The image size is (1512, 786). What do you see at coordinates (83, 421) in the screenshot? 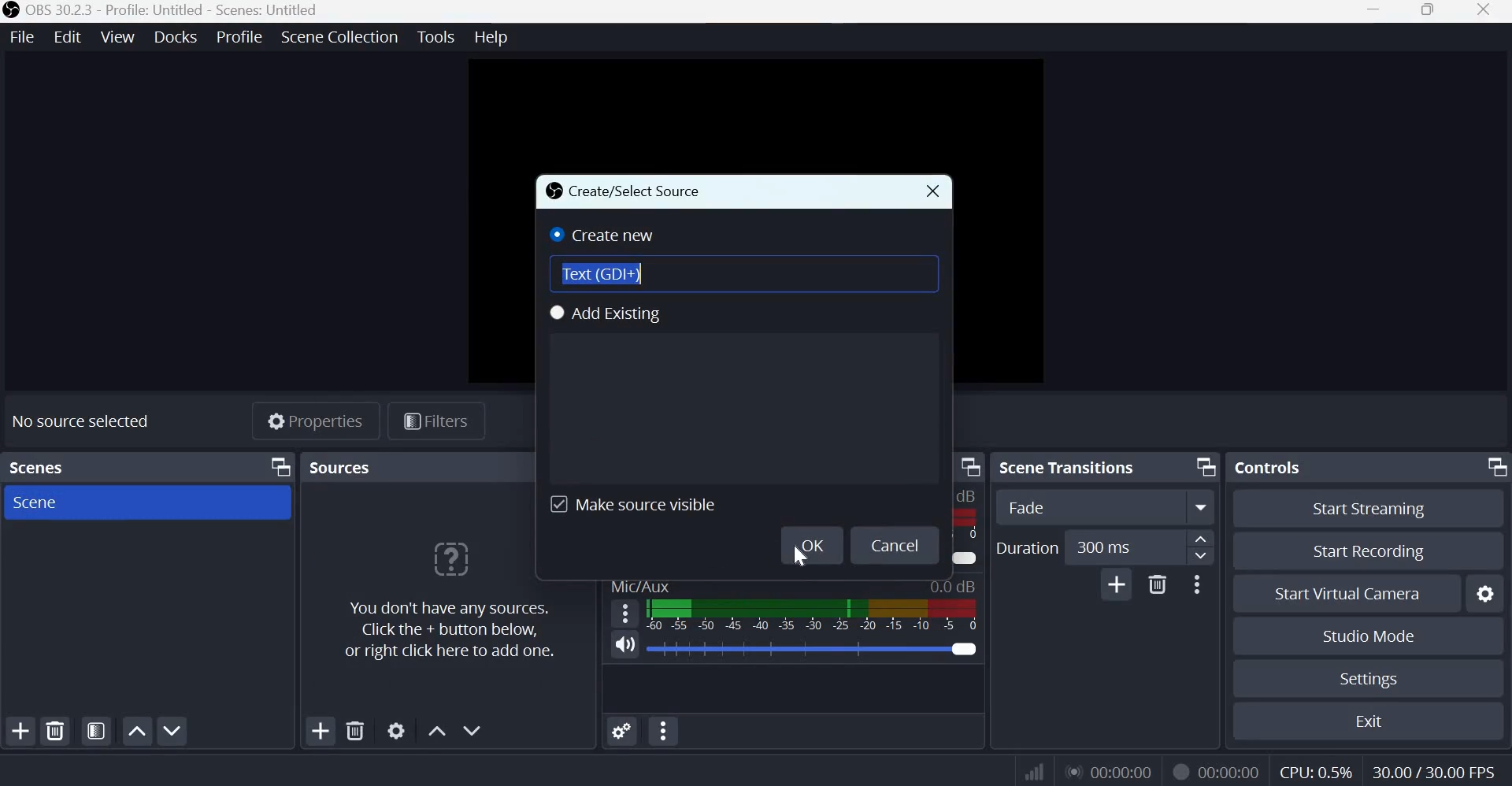
I see `No source selected` at bounding box center [83, 421].